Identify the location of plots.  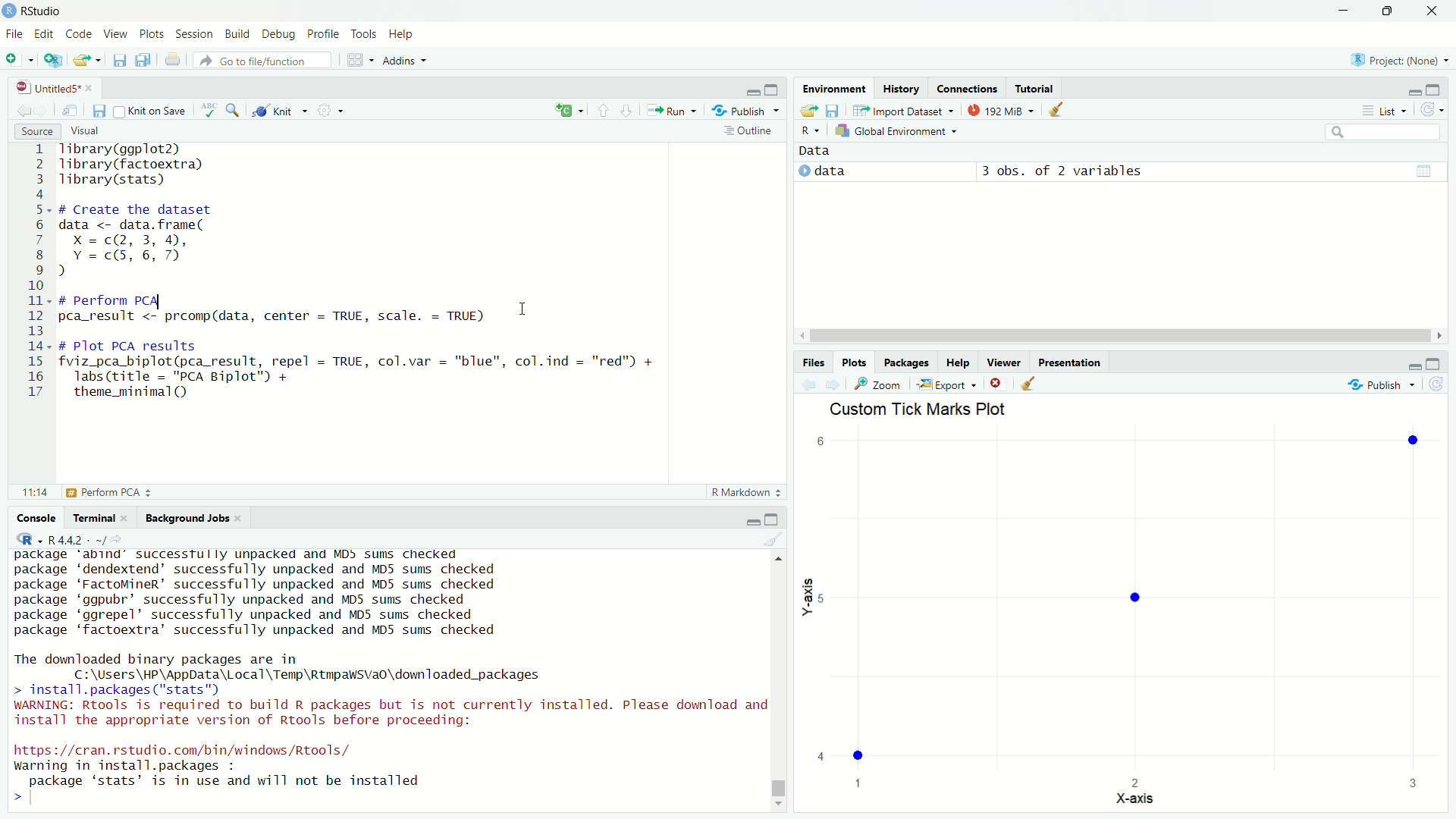
(152, 35).